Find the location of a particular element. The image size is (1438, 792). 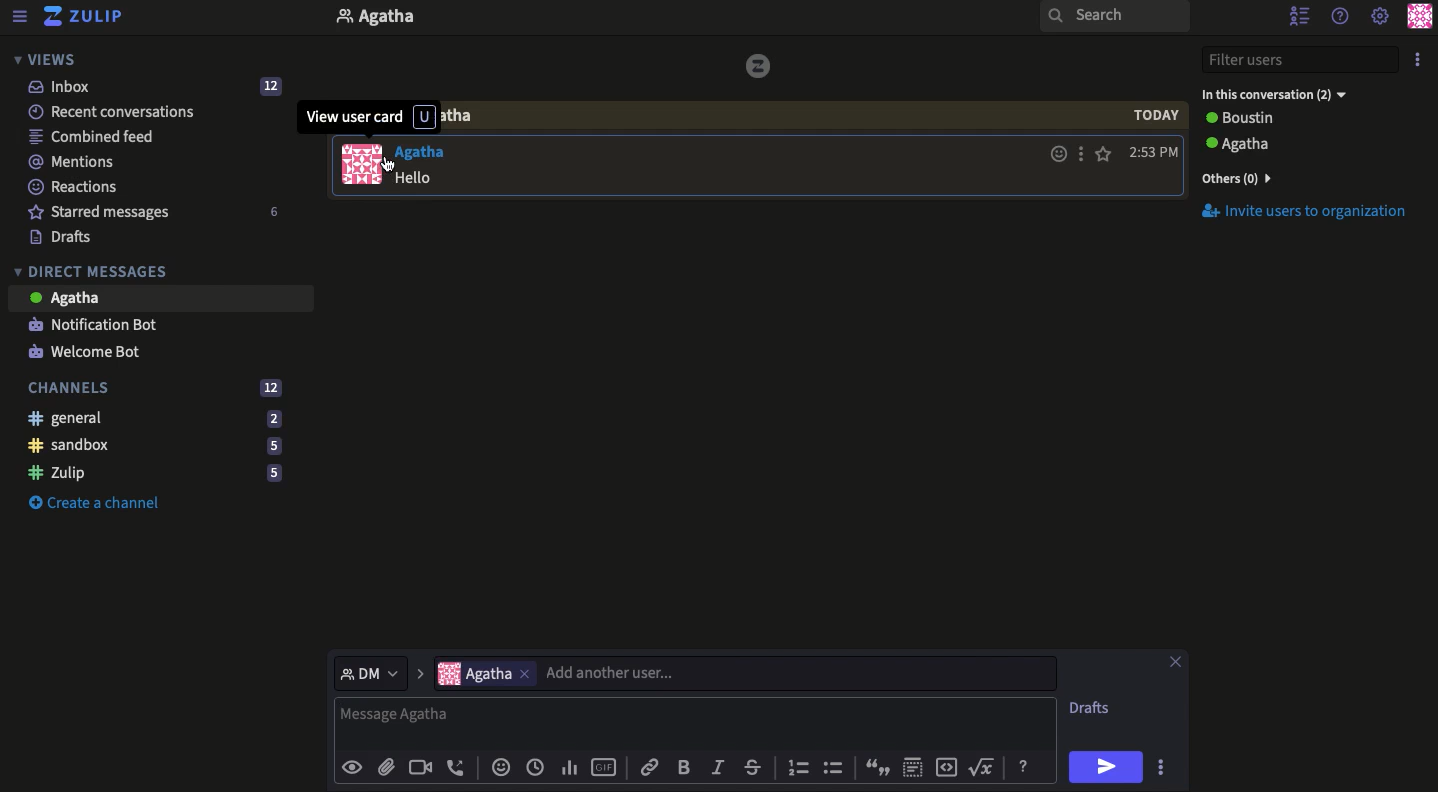

Settings is located at coordinates (1380, 18).